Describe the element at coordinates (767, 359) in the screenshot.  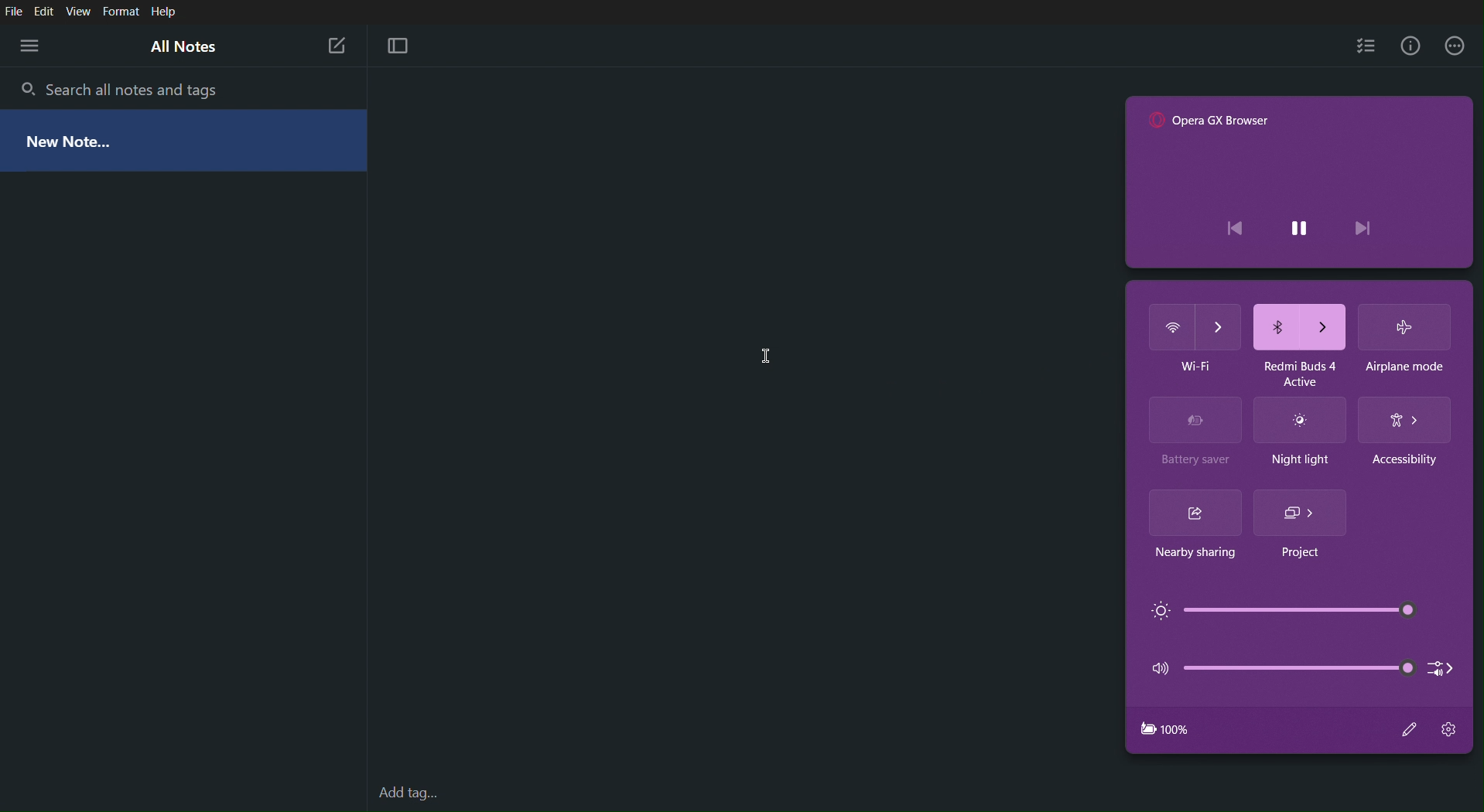
I see `Cursor` at that location.